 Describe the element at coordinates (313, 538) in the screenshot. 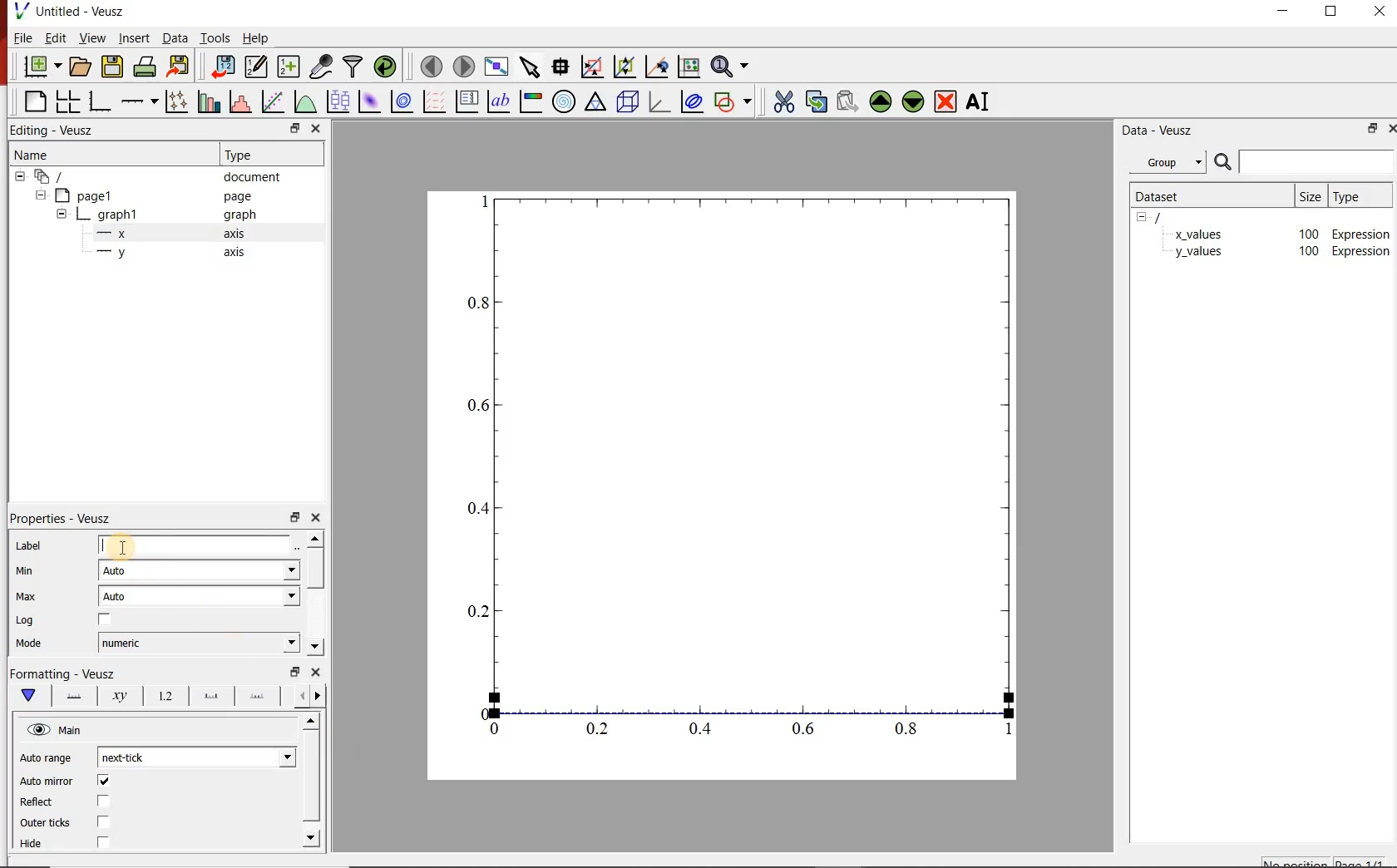

I see `move up` at that location.